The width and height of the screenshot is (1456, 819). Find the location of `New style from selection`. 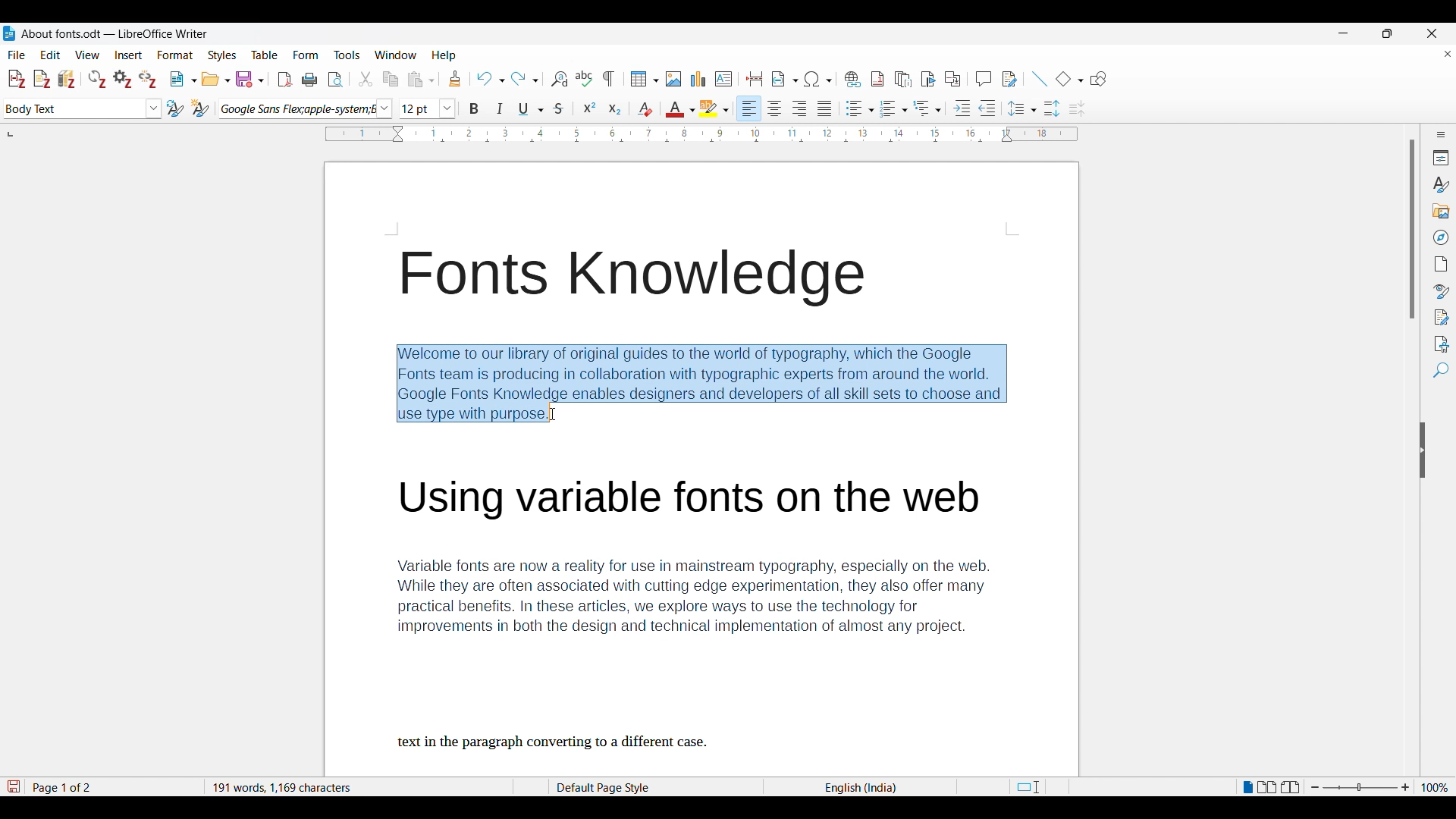

New style from selection is located at coordinates (200, 108).